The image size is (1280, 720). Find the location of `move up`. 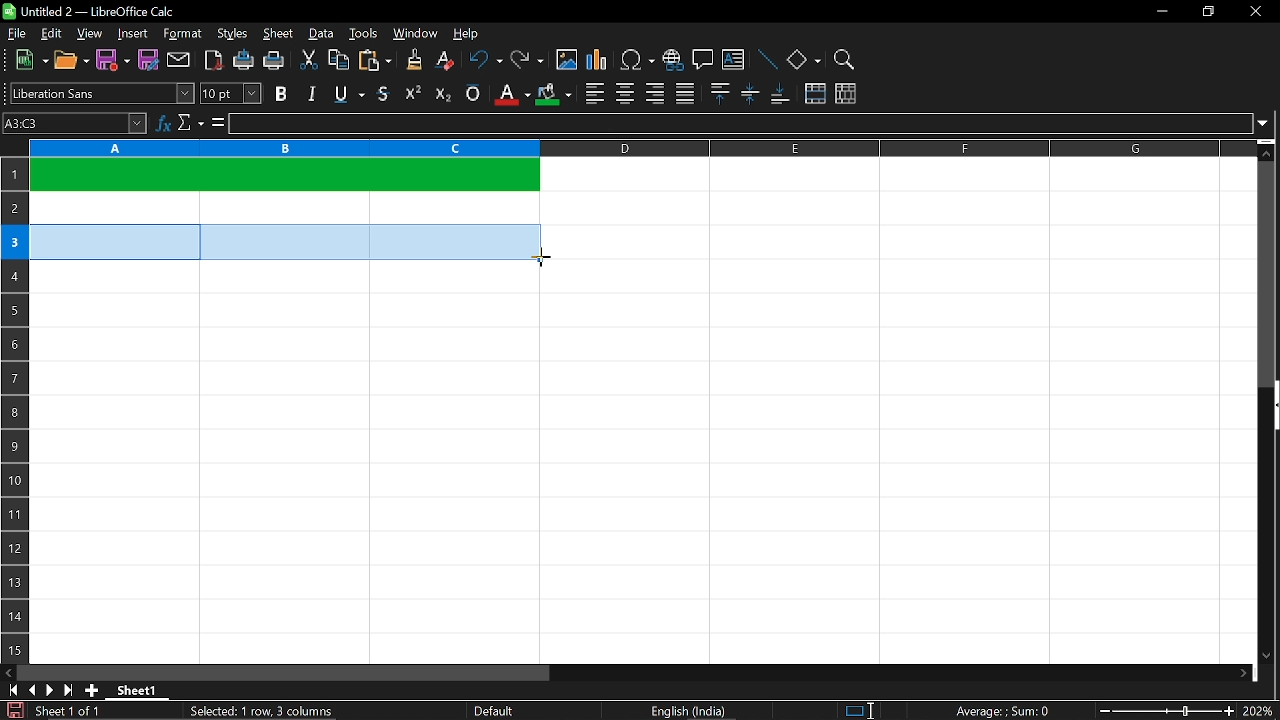

move up is located at coordinates (1269, 151).